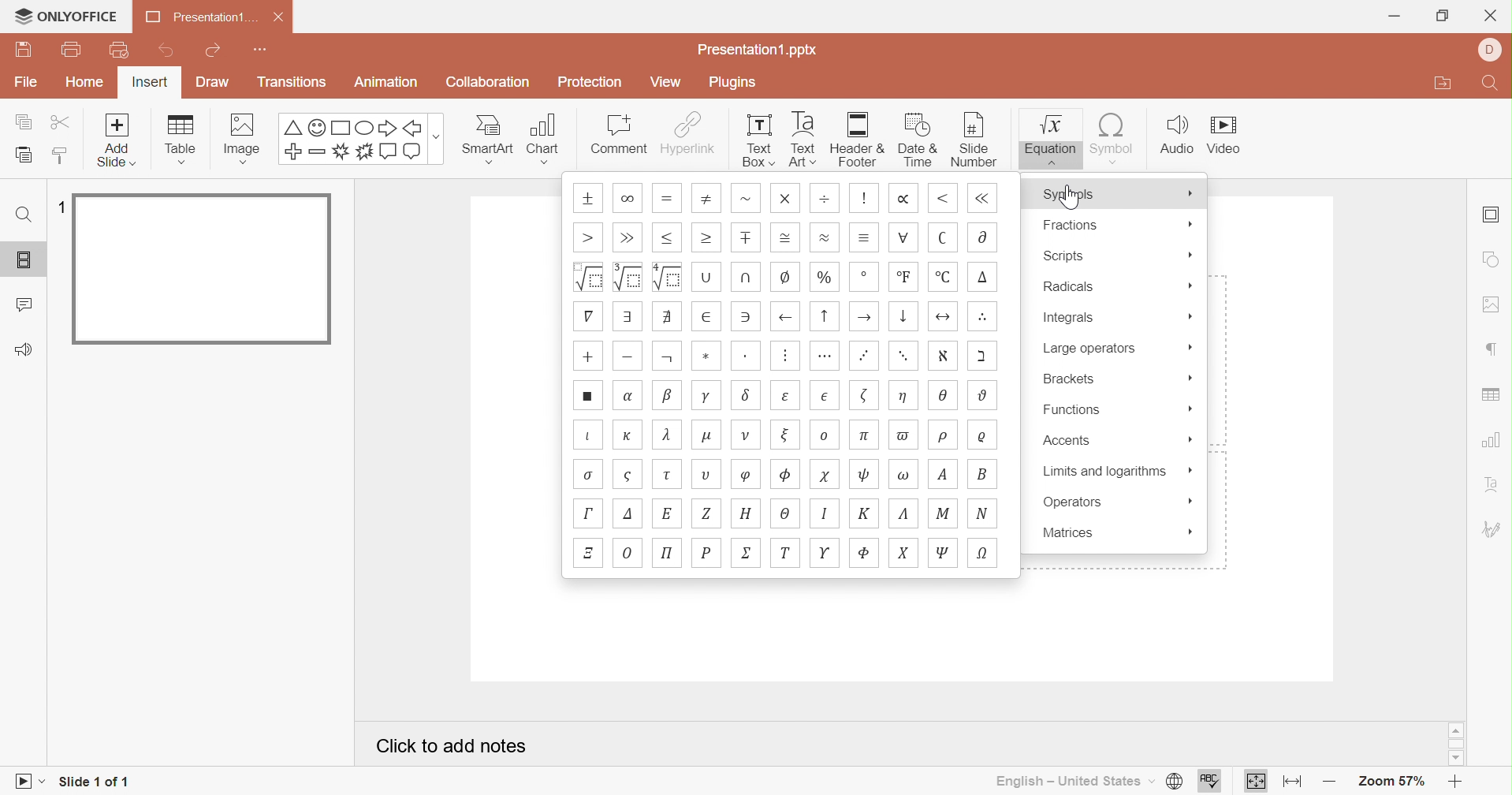 This screenshot has width=1512, height=795. Describe the element at coordinates (1456, 783) in the screenshot. I see `Zoom in` at that location.